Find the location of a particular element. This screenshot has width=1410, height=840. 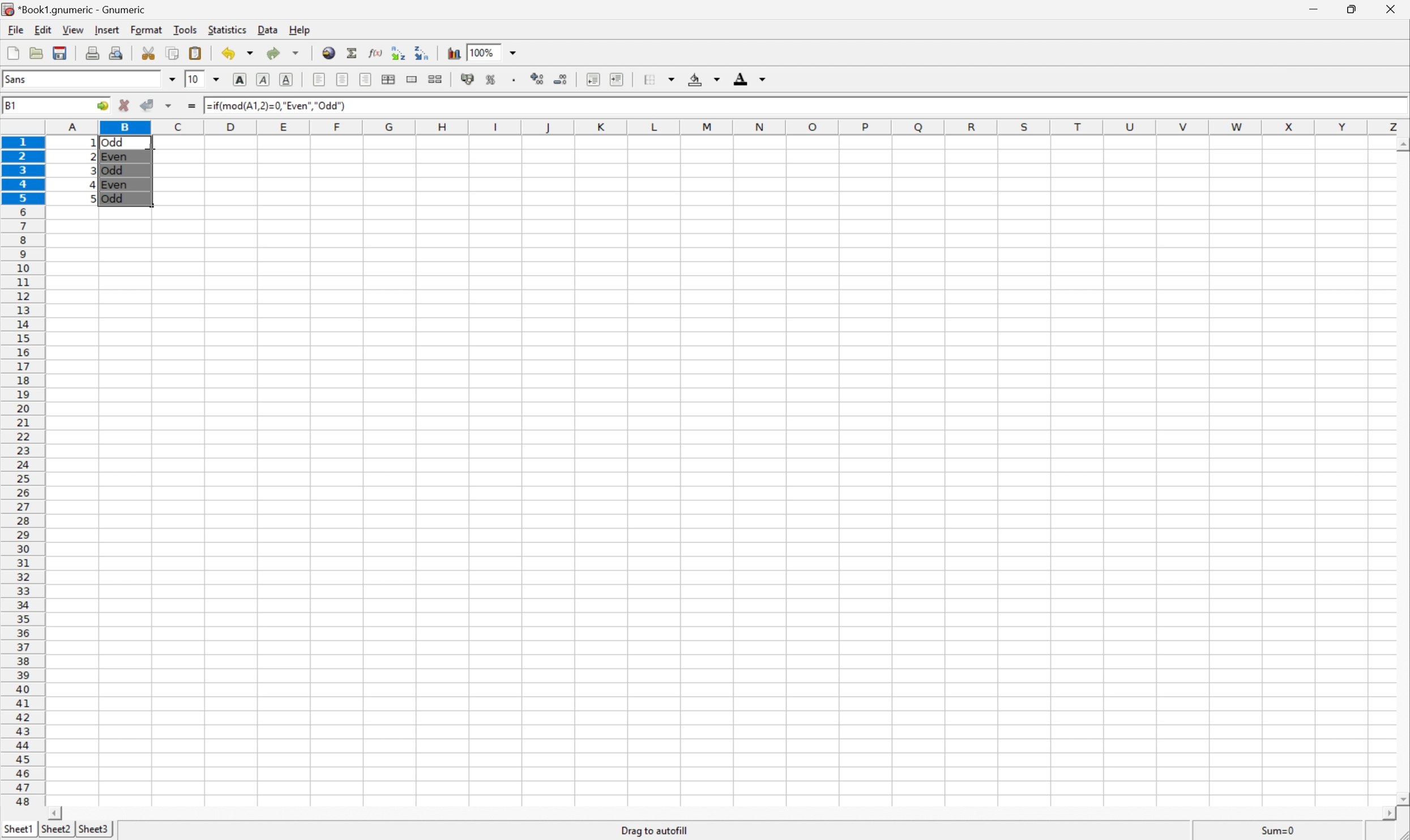

Enter formula is located at coordinates (190, 108).